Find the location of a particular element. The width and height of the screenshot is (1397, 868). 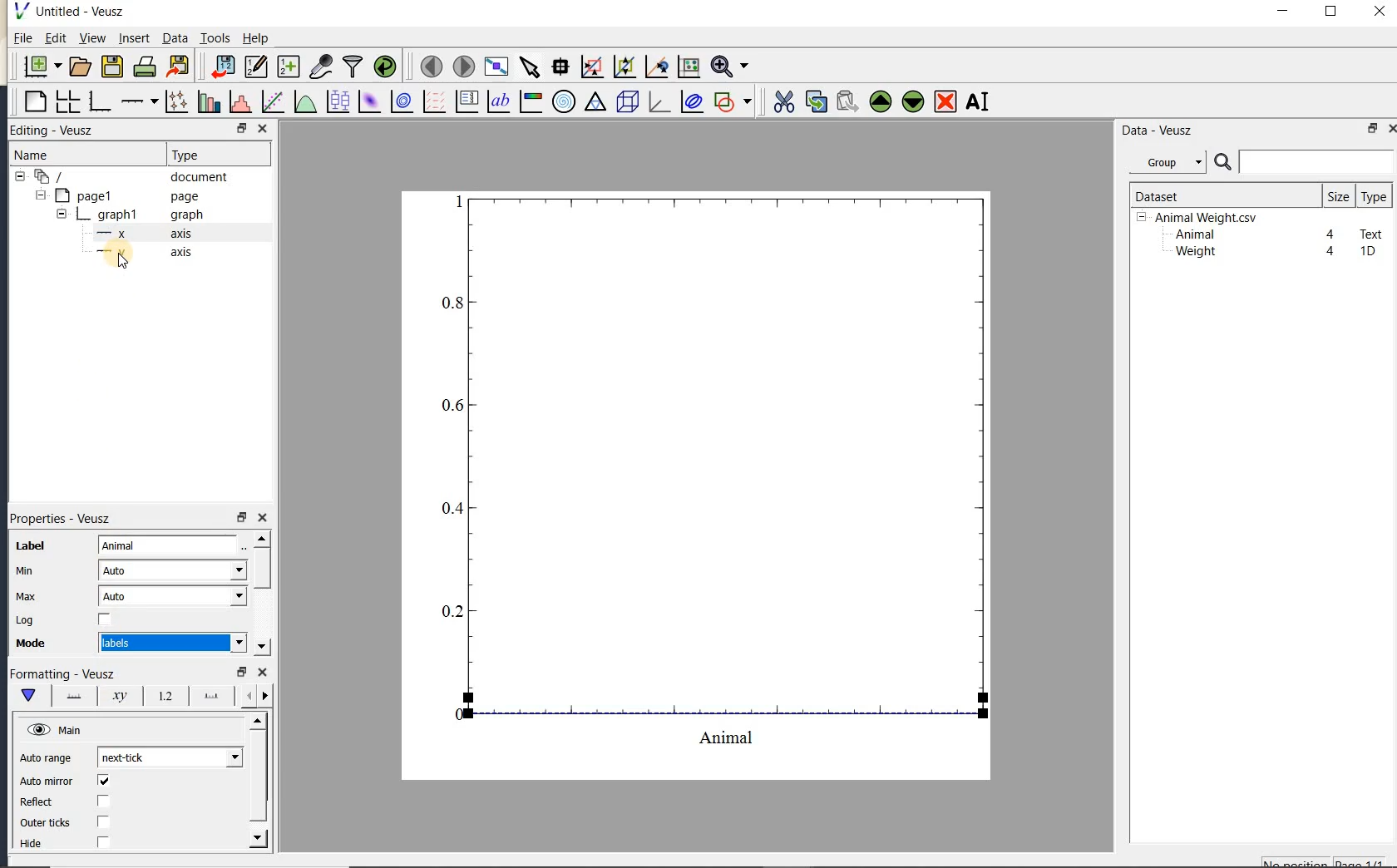

add an axis to the plot is located at coordinates (139, 101).